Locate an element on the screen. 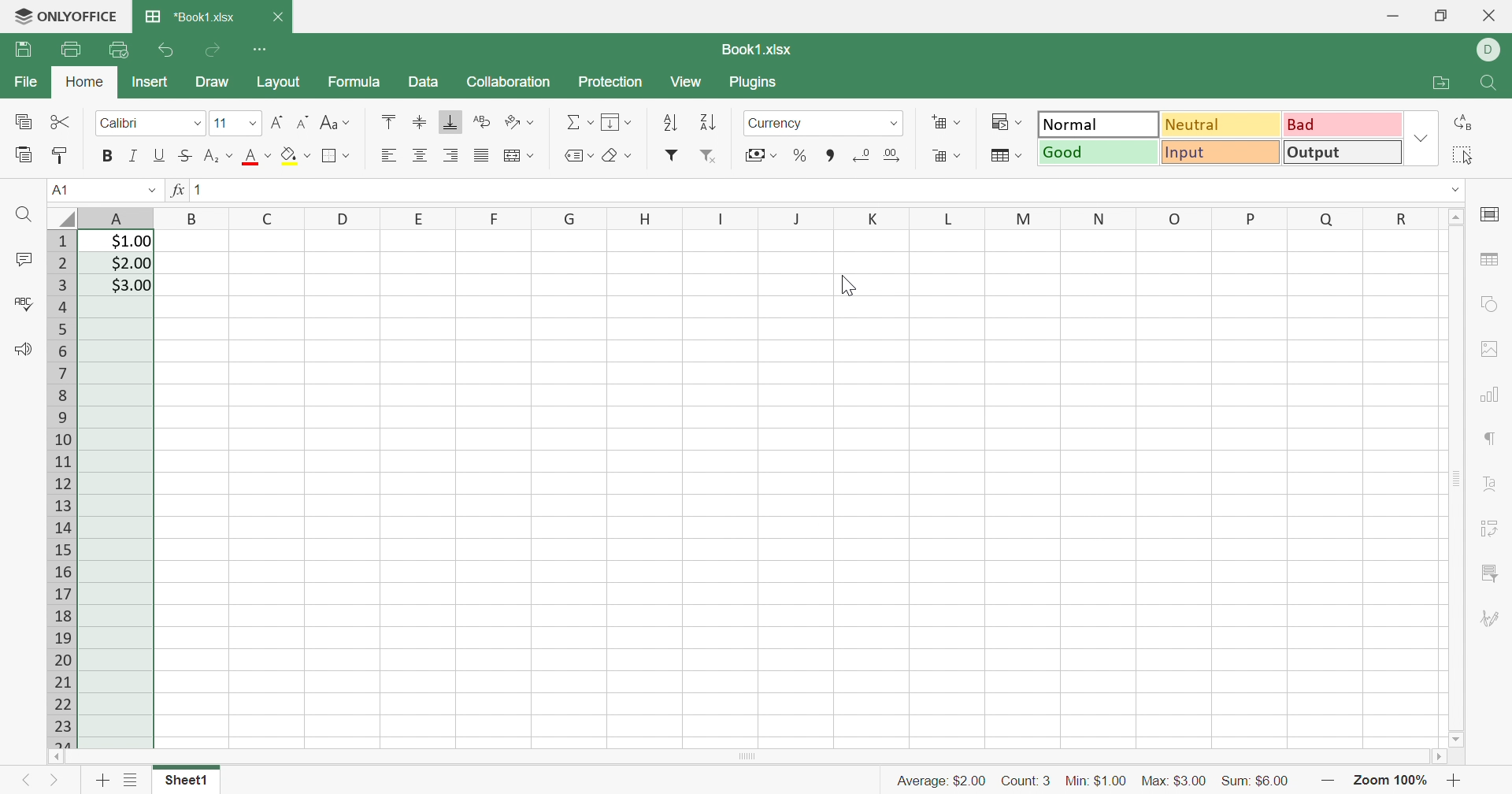 The height and width of the screenshot is (794, 1512). Increase decimal is located at coordinates (891, 154).